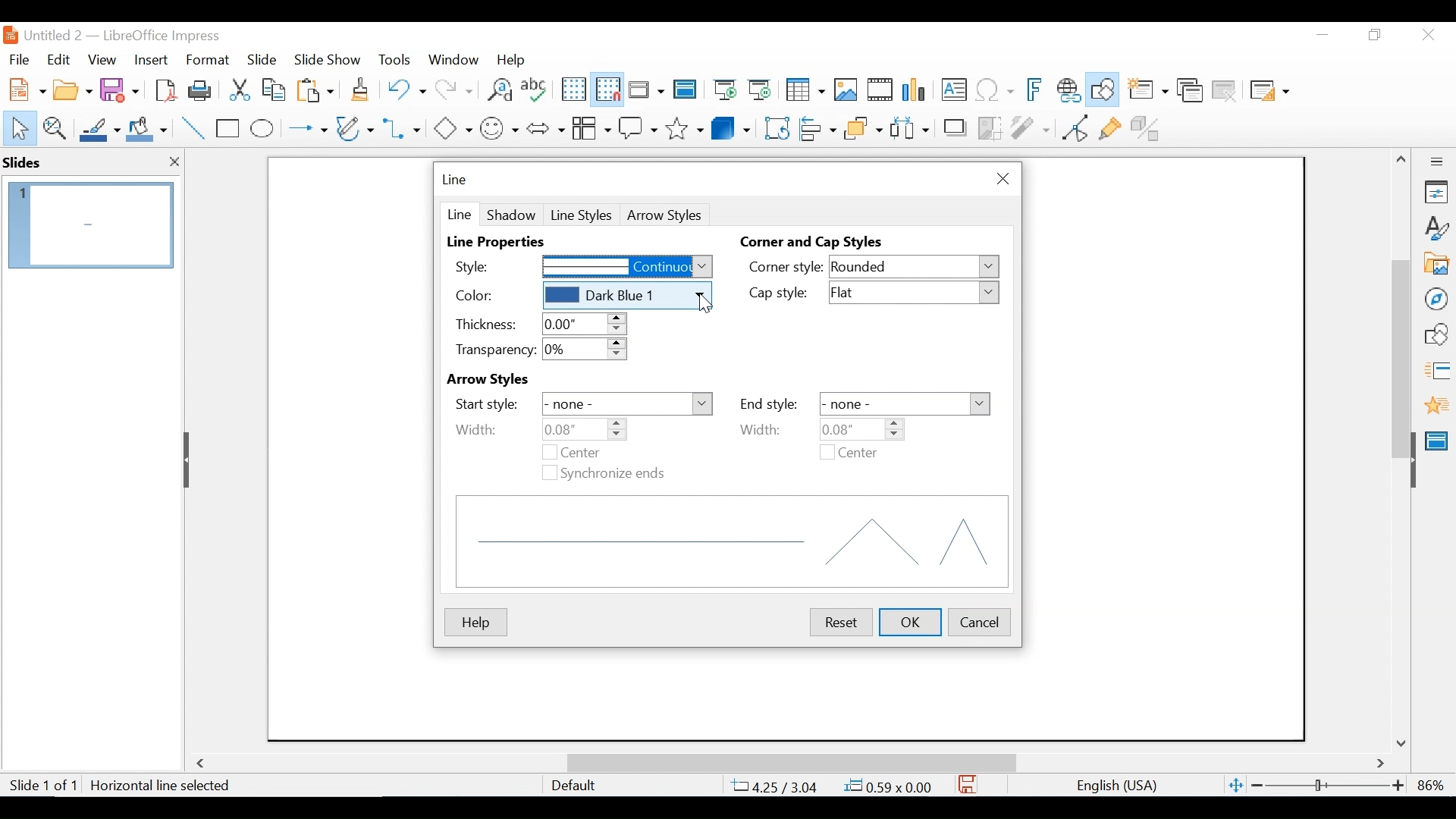 The height and width of the screenshot is (819, 1456). I want to click on Tools, so click(394, 59).